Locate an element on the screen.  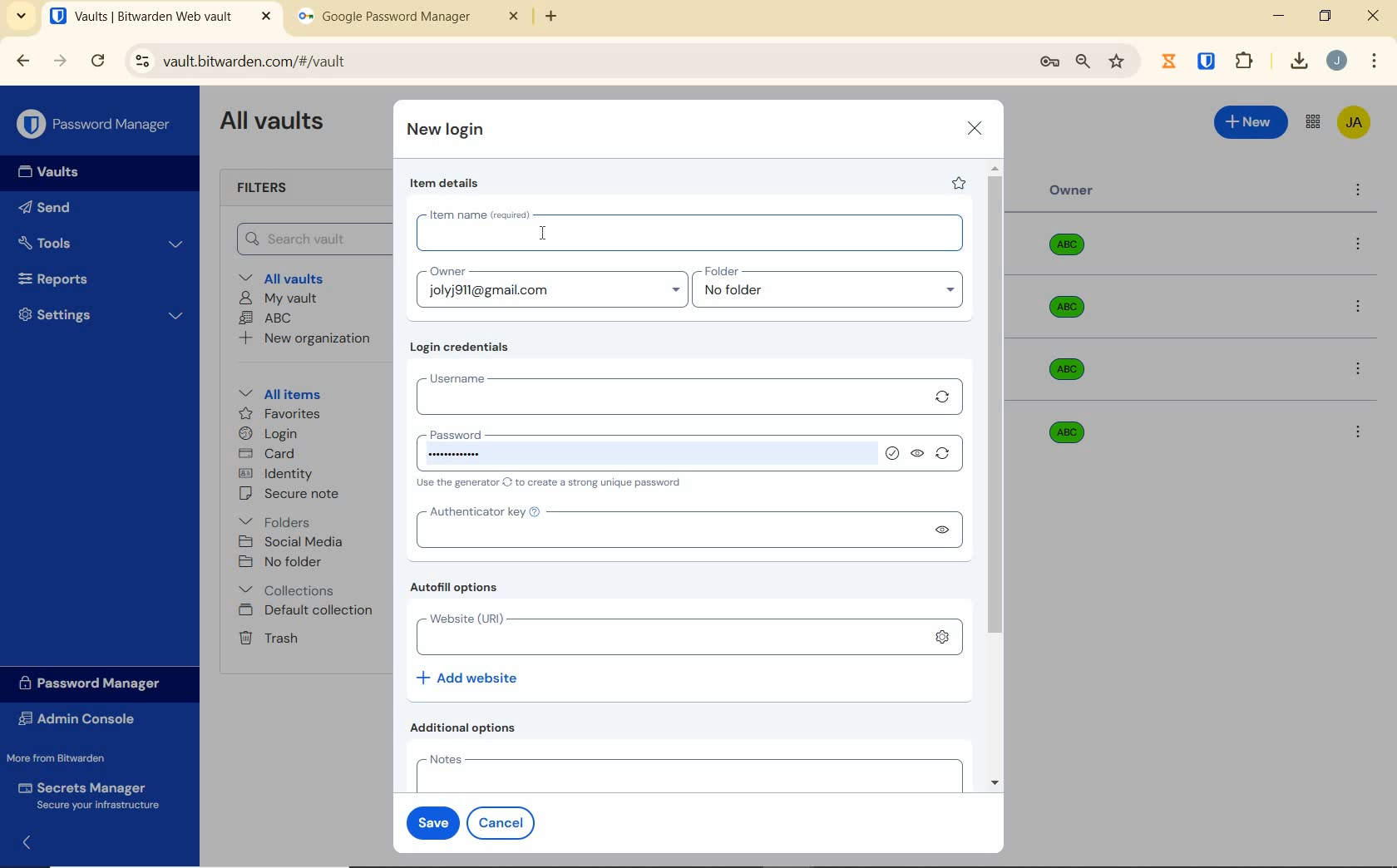
unhide is located at coordinates (919, 455).